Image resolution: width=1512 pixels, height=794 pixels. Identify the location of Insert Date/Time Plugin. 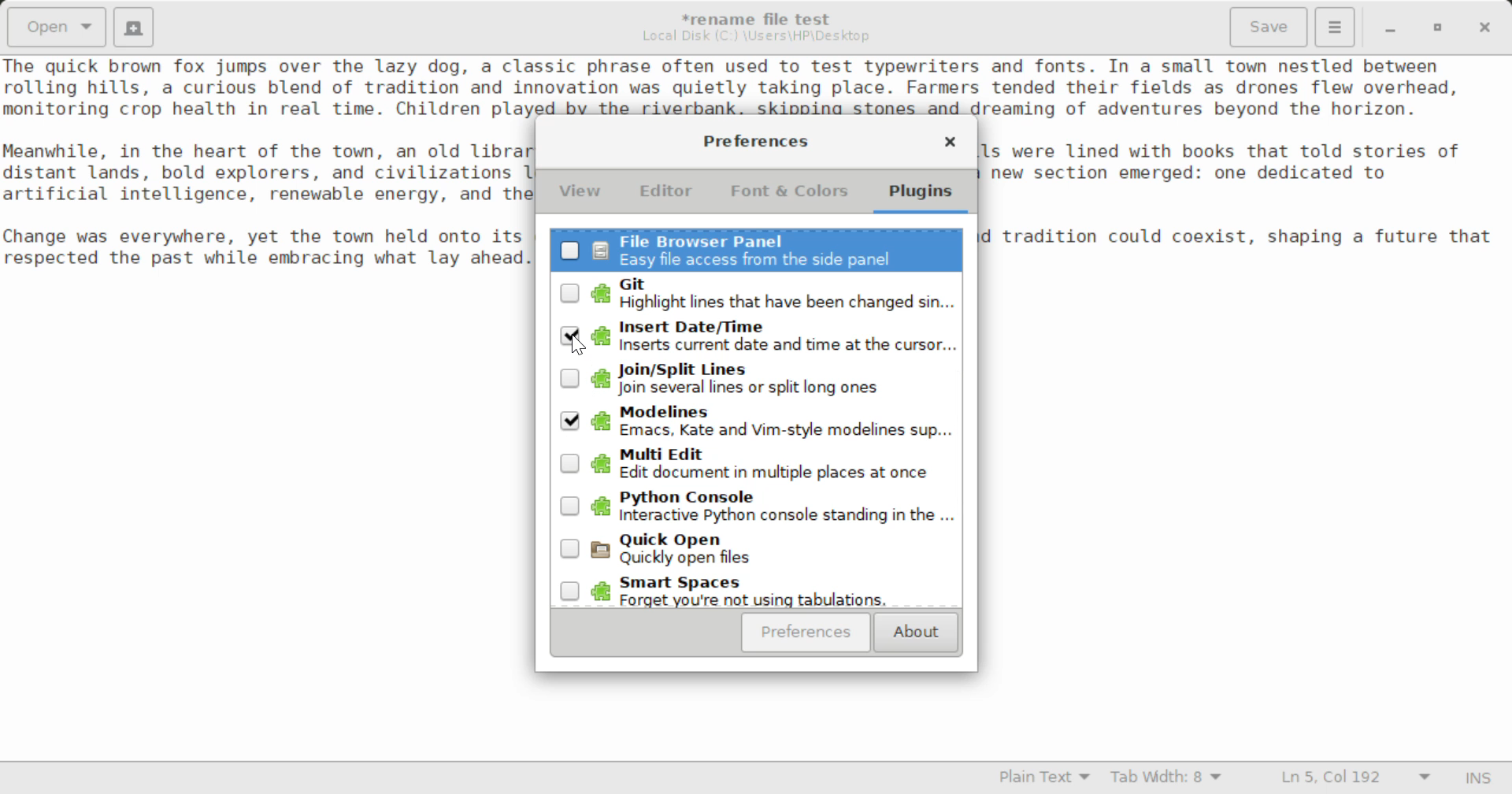
(759, 337).